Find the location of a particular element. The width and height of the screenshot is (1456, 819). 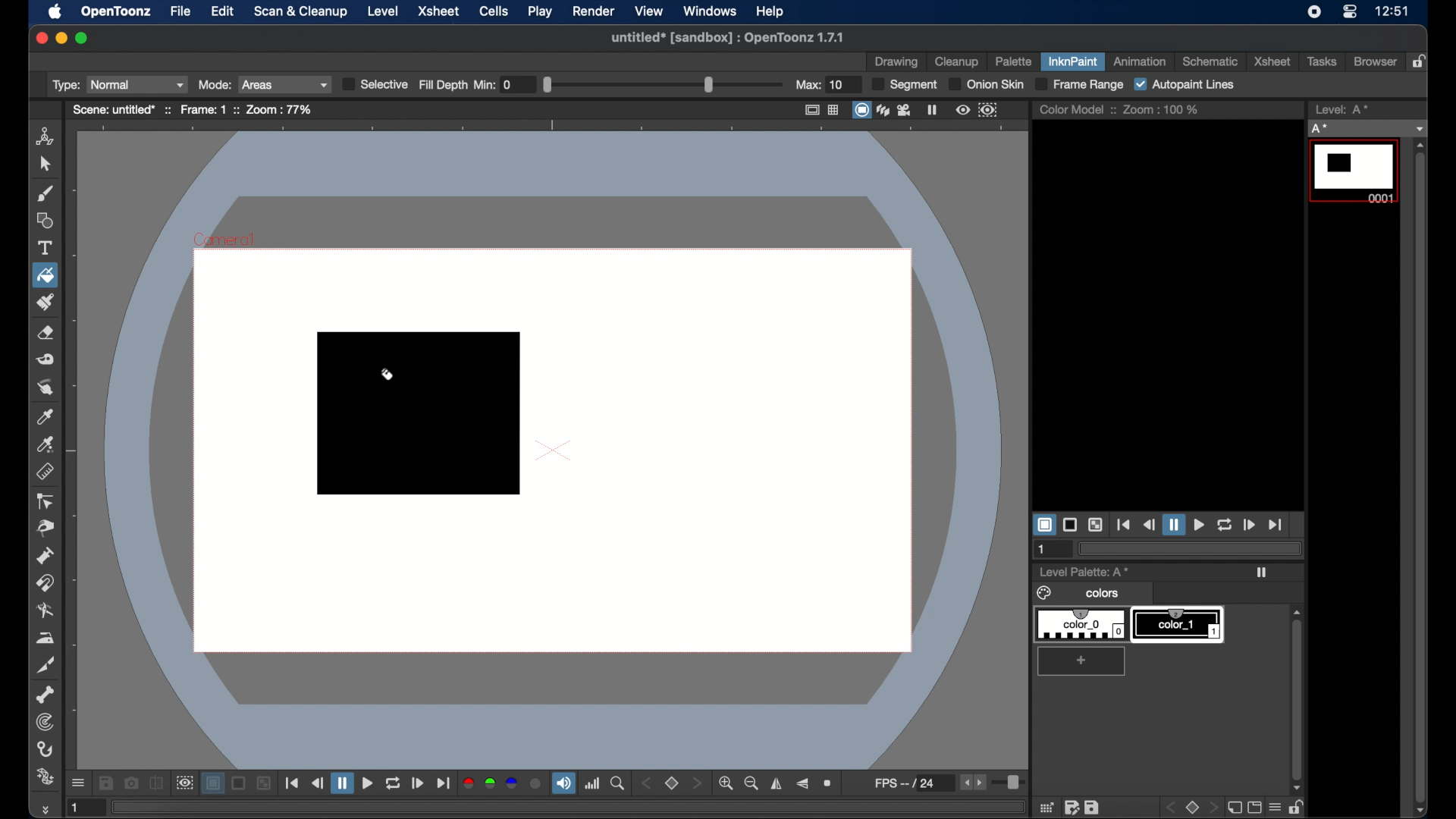

unlock is located at coordinates (1296, 807).